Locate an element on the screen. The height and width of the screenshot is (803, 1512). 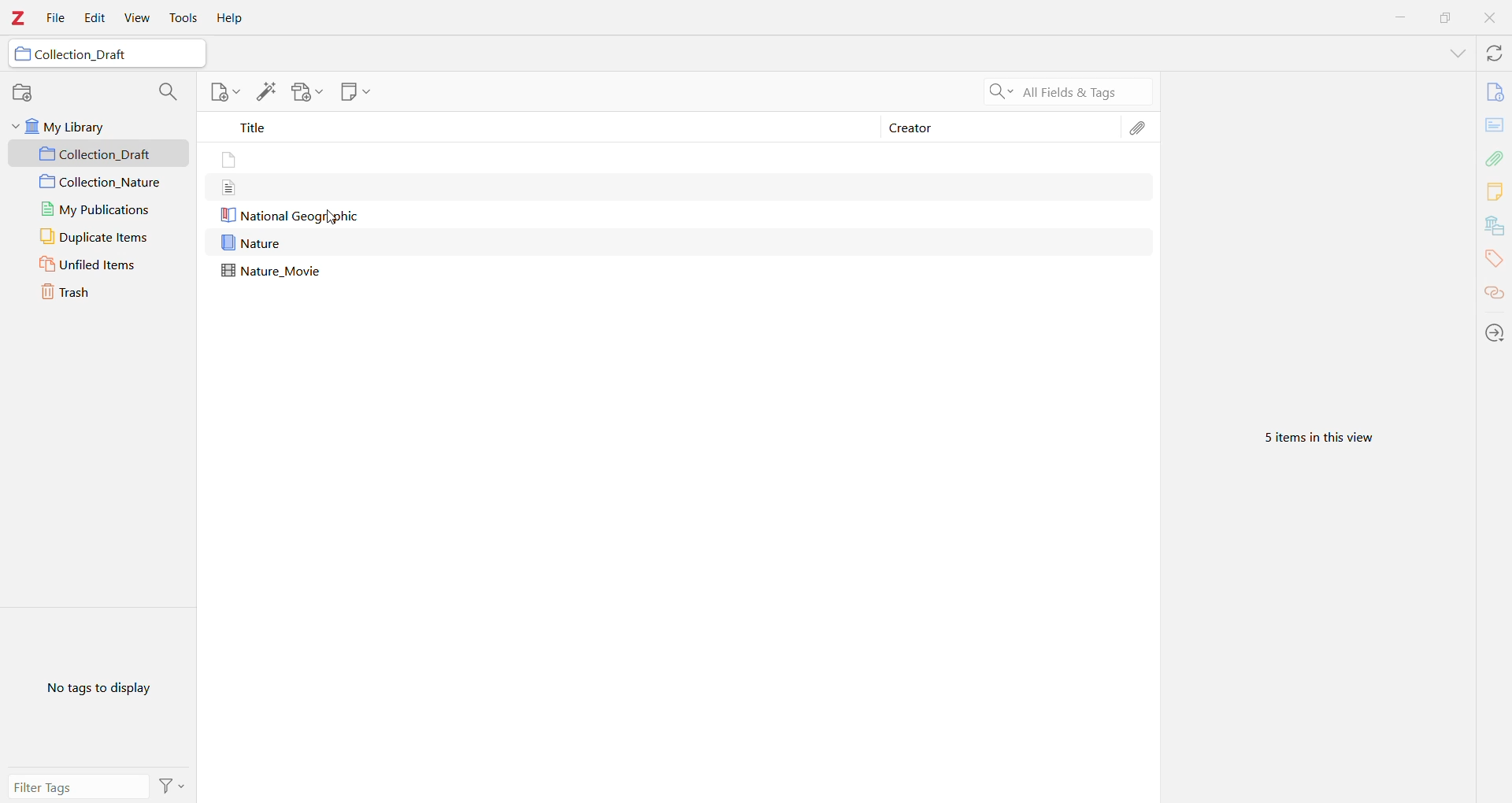
My Publications is located at coordinates (96, 209).